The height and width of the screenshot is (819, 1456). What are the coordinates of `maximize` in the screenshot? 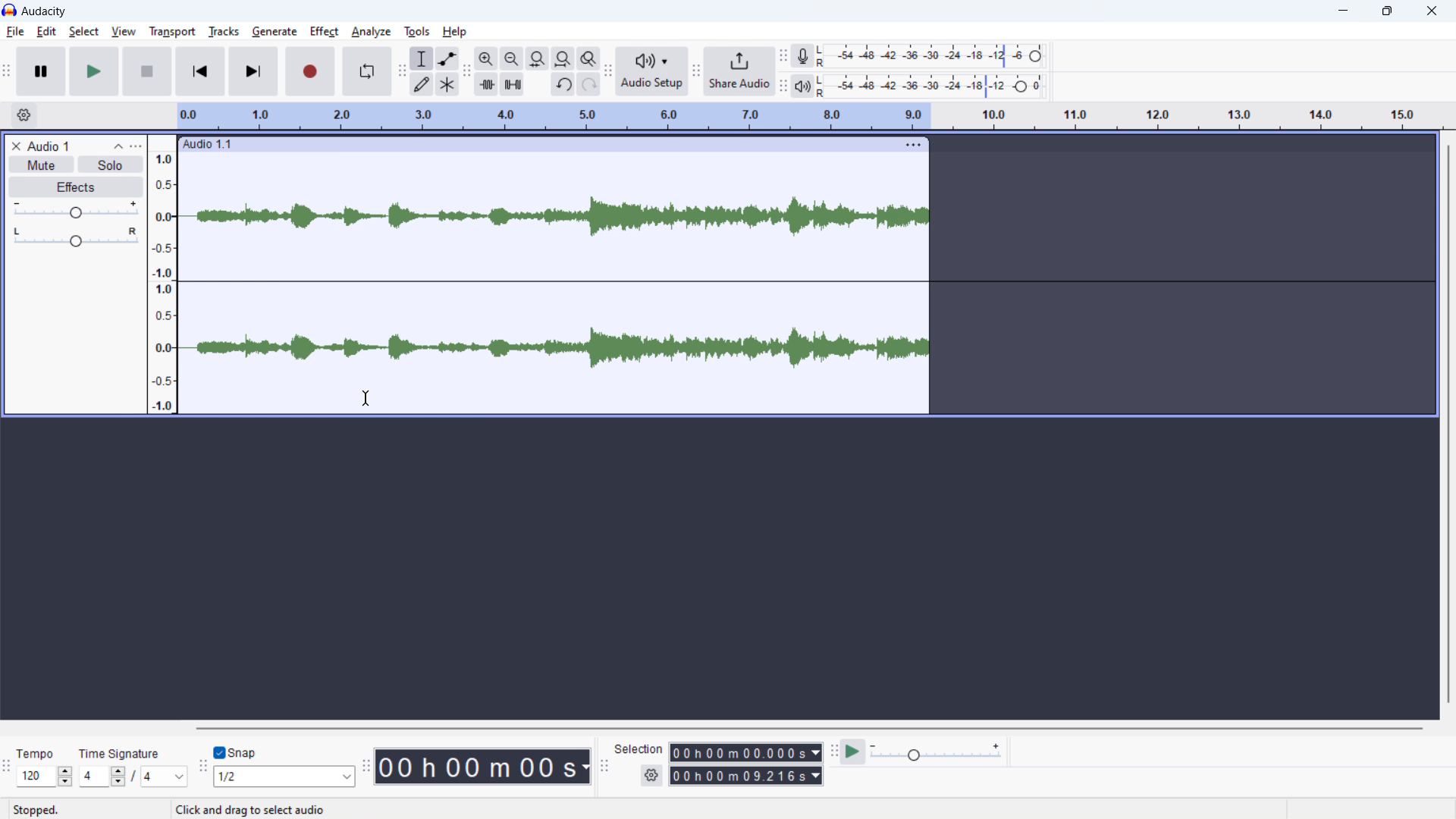 It's located at (1385, 11).